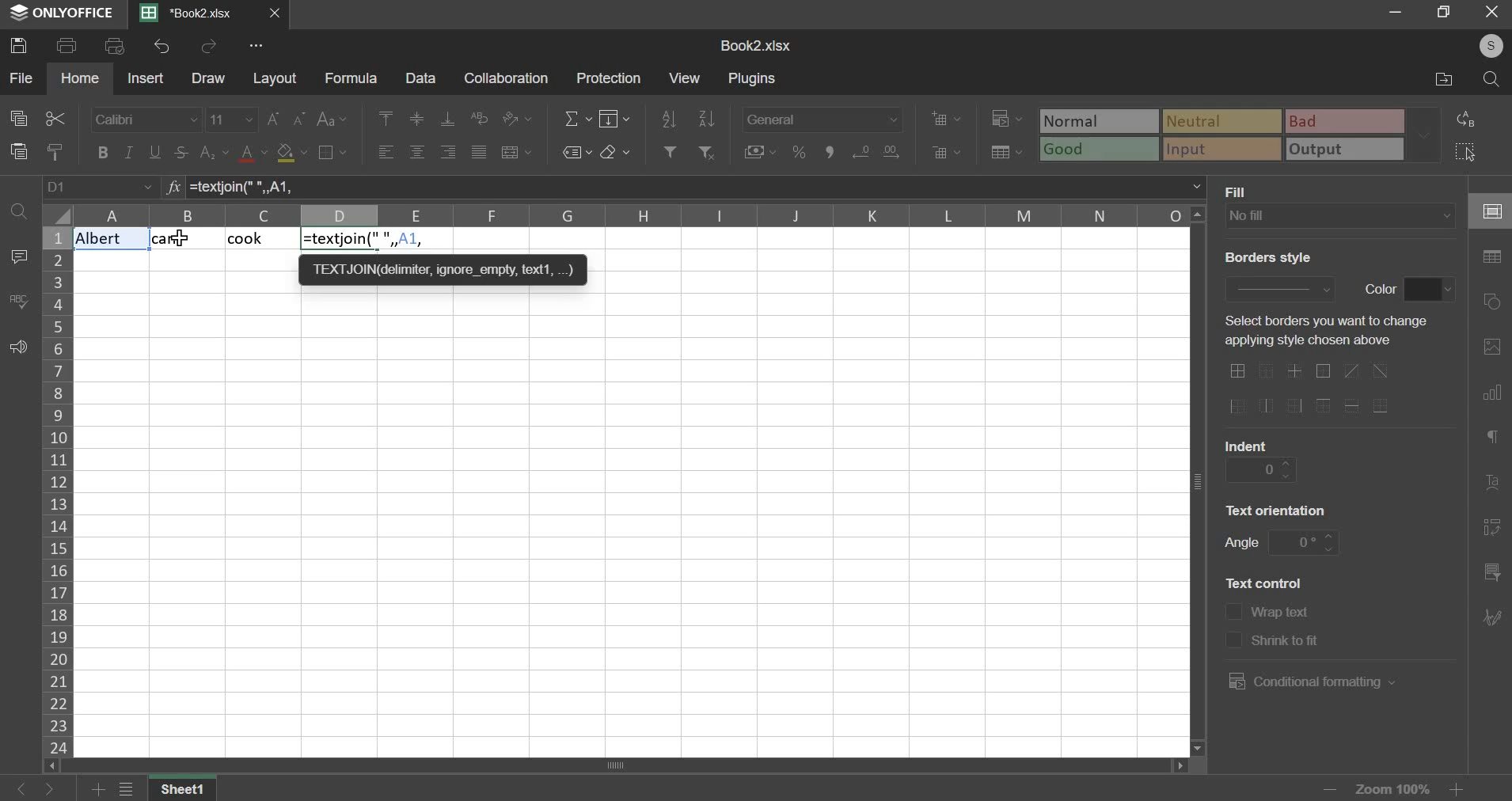 This screenshot has height=801, width=1512. What do you see at coordinates (615, 152) in the screenshot?
I see `clear` at bounding box center [615, 152].